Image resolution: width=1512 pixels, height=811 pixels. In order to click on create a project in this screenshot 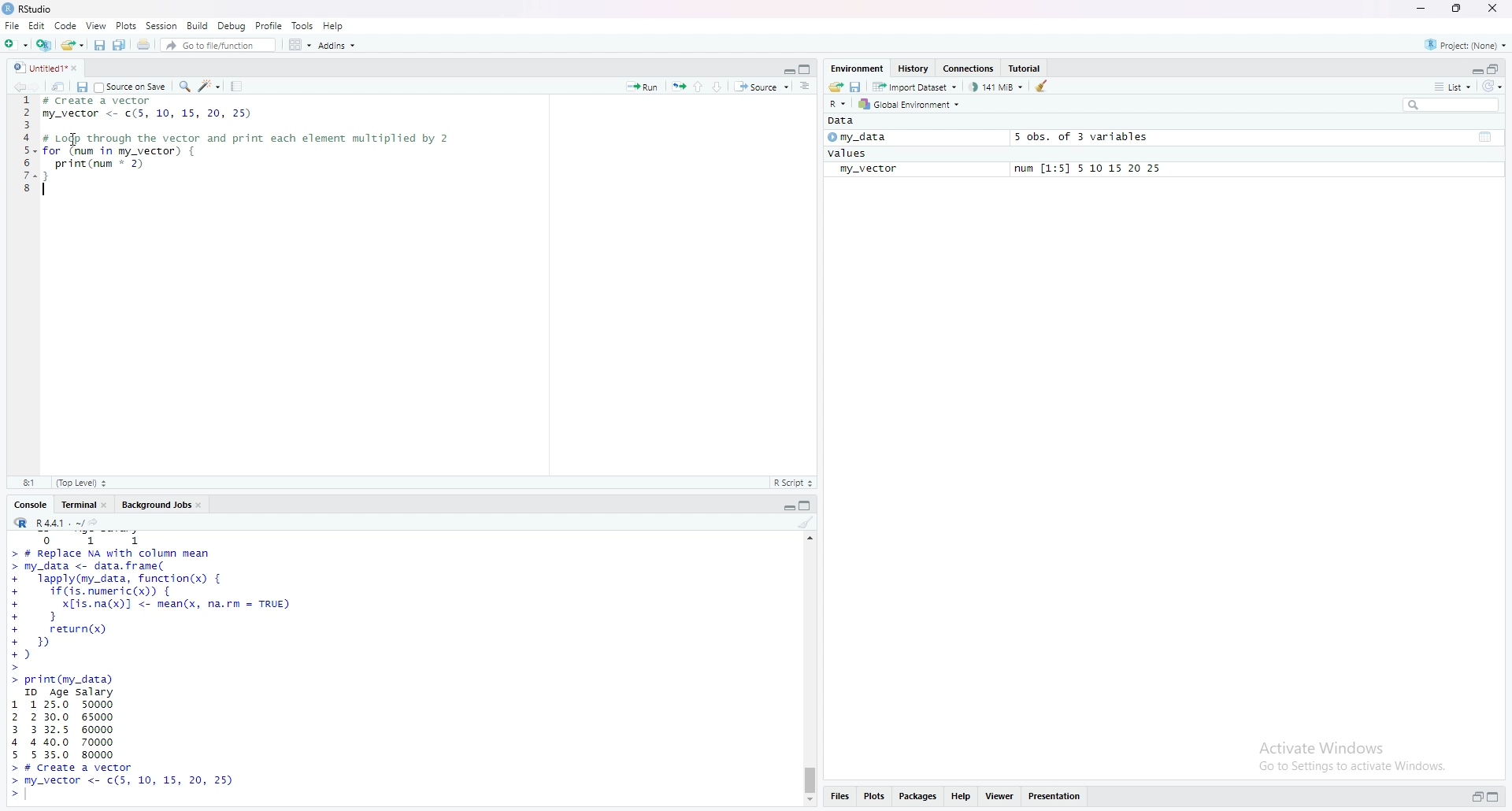, I will do `click(45, 45)`.